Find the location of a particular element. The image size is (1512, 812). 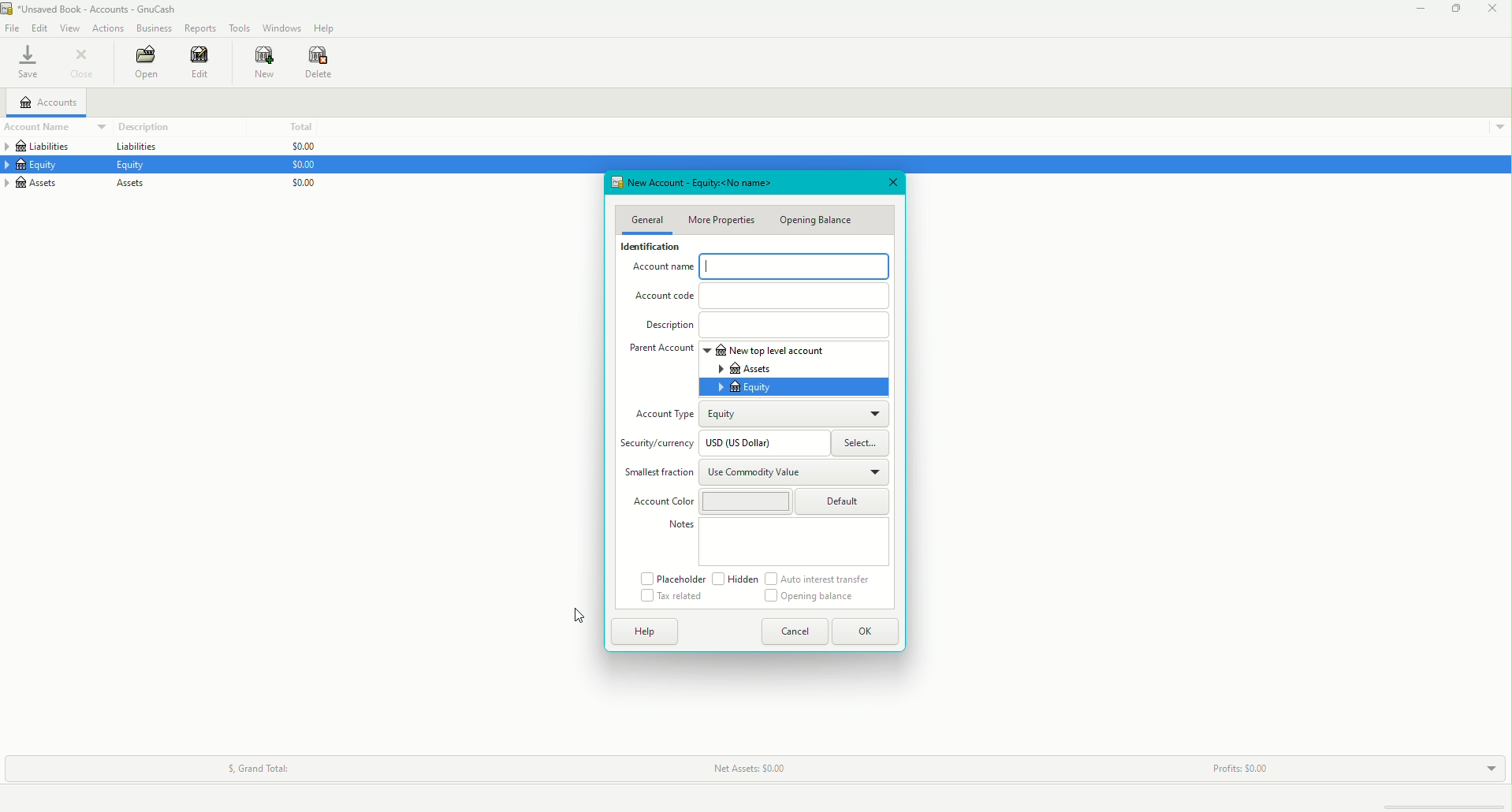

 is located at coordinates (133, 166).